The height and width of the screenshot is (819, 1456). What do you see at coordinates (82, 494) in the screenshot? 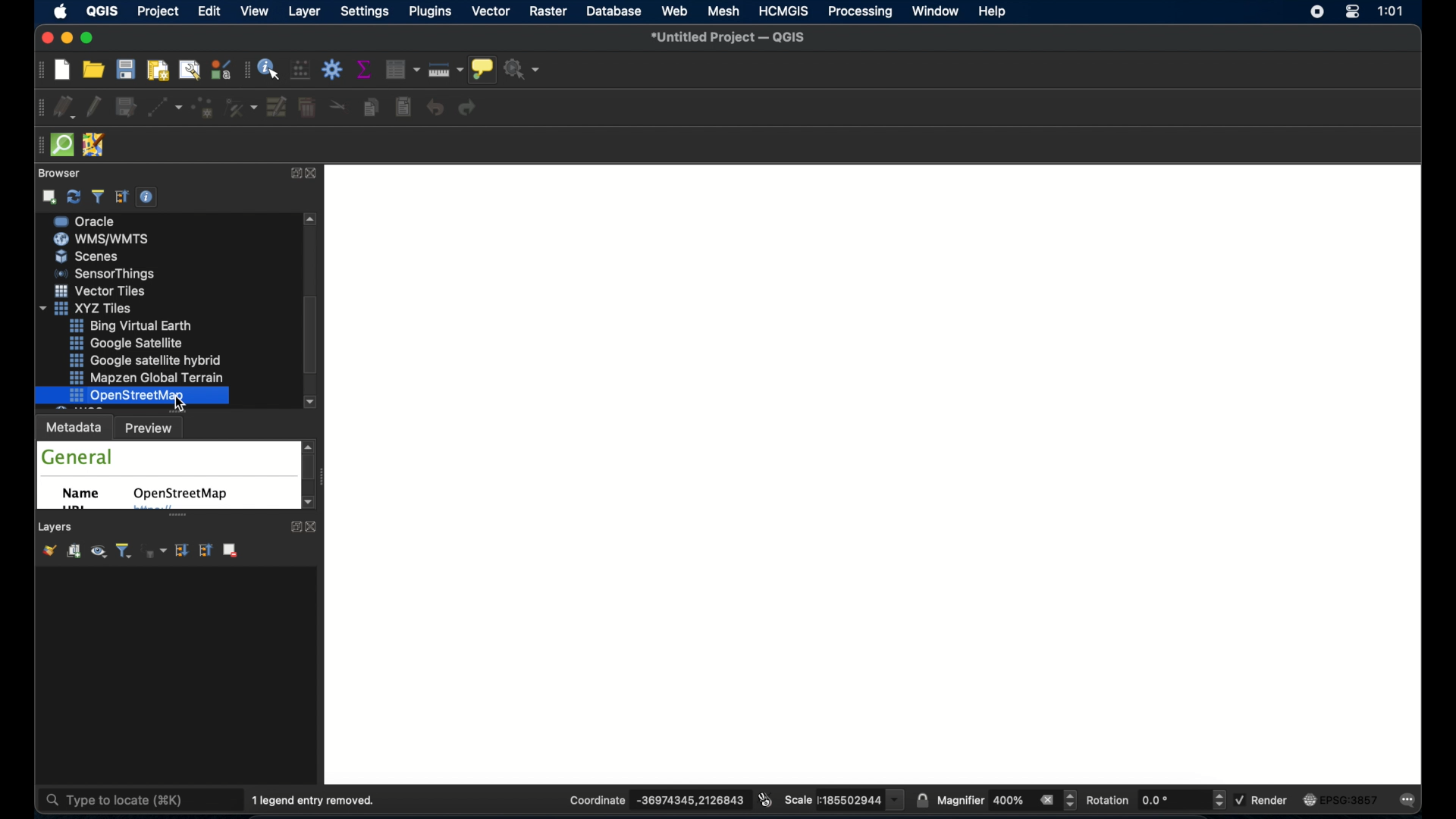
I see `name` at bounding box center [82, 494].